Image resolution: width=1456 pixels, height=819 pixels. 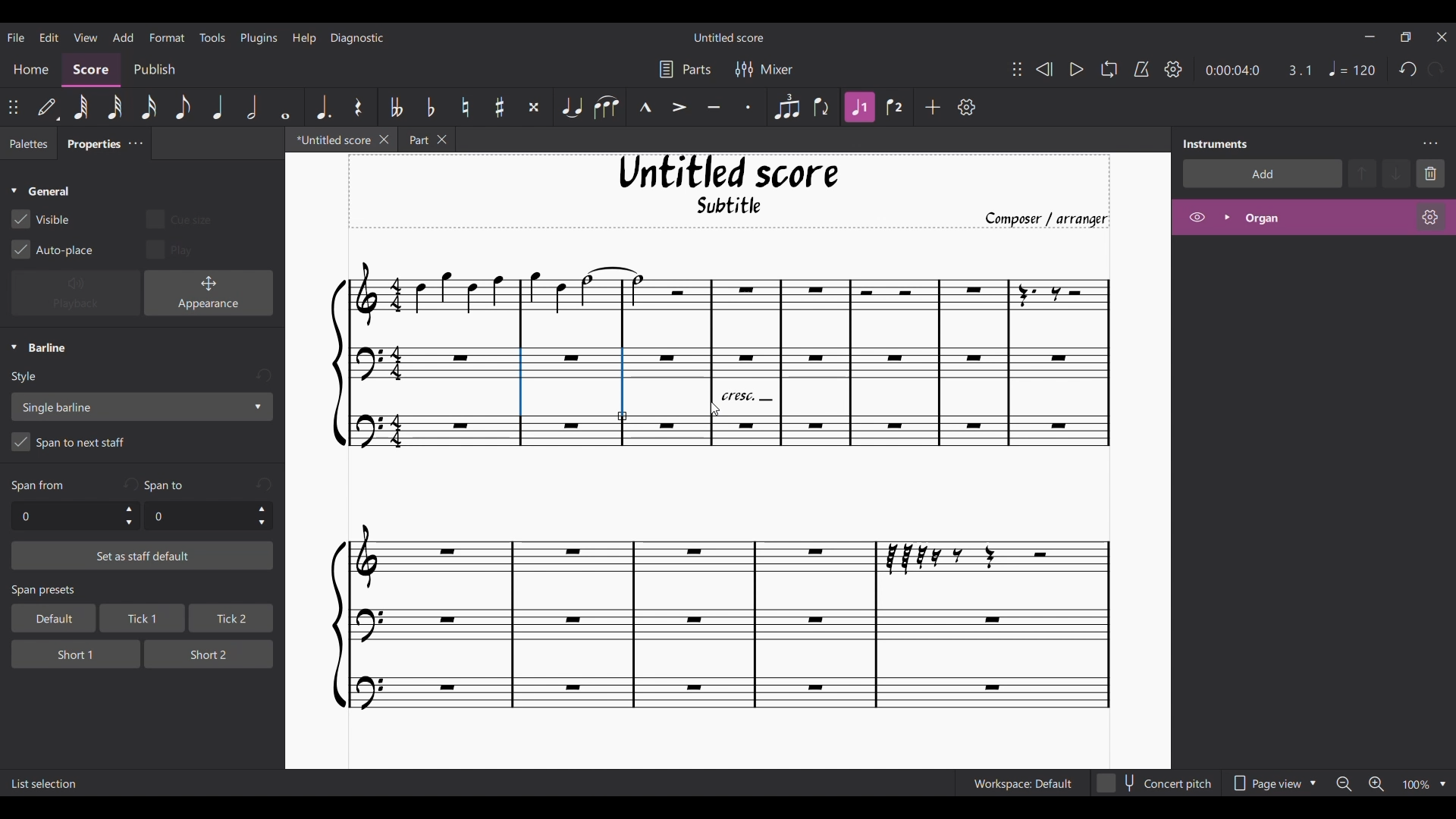 I want to click on Format menu, so click(x=168, y=36).